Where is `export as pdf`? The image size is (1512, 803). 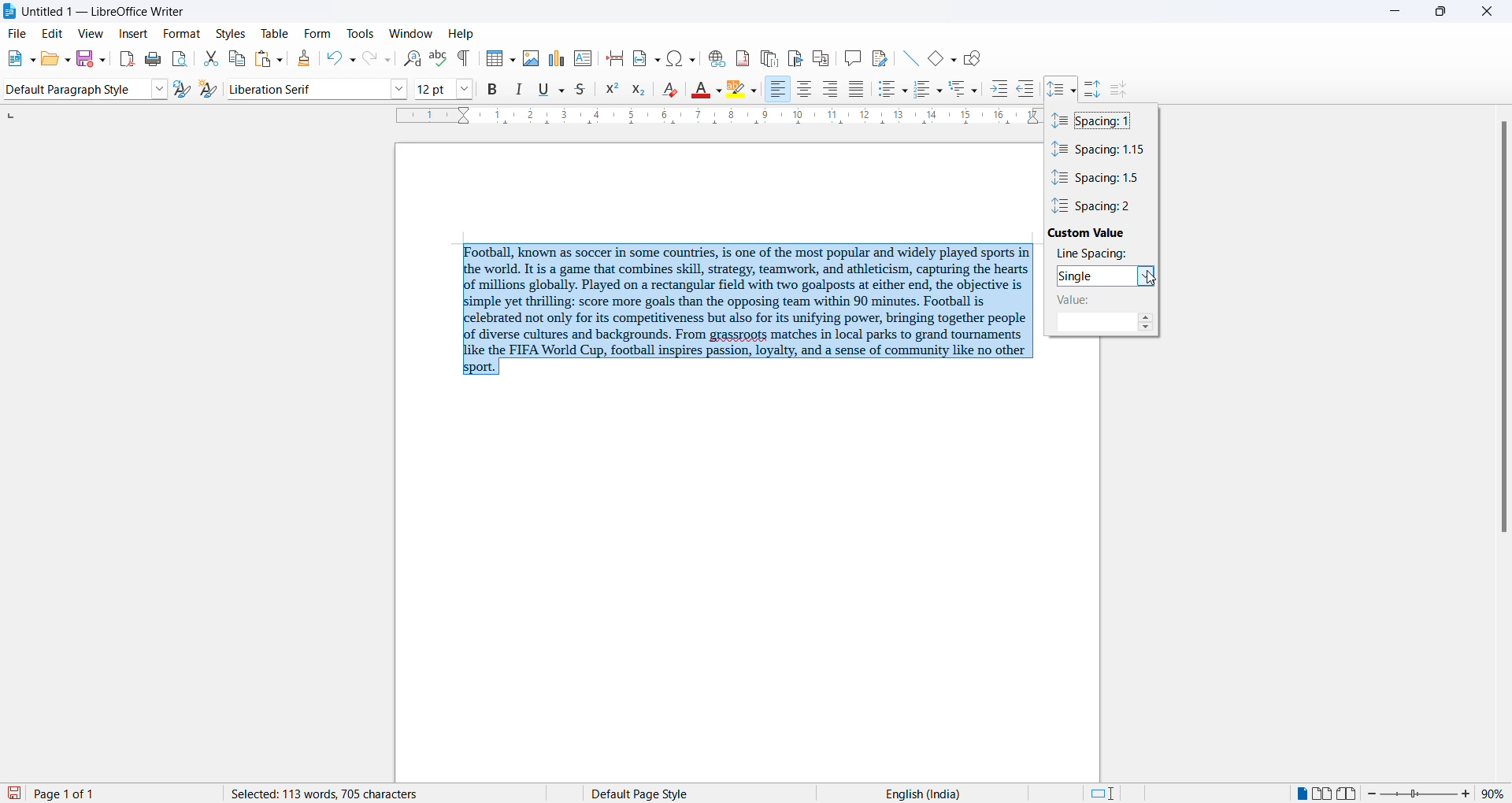 export as pdf is located at coordinates (124, 59).